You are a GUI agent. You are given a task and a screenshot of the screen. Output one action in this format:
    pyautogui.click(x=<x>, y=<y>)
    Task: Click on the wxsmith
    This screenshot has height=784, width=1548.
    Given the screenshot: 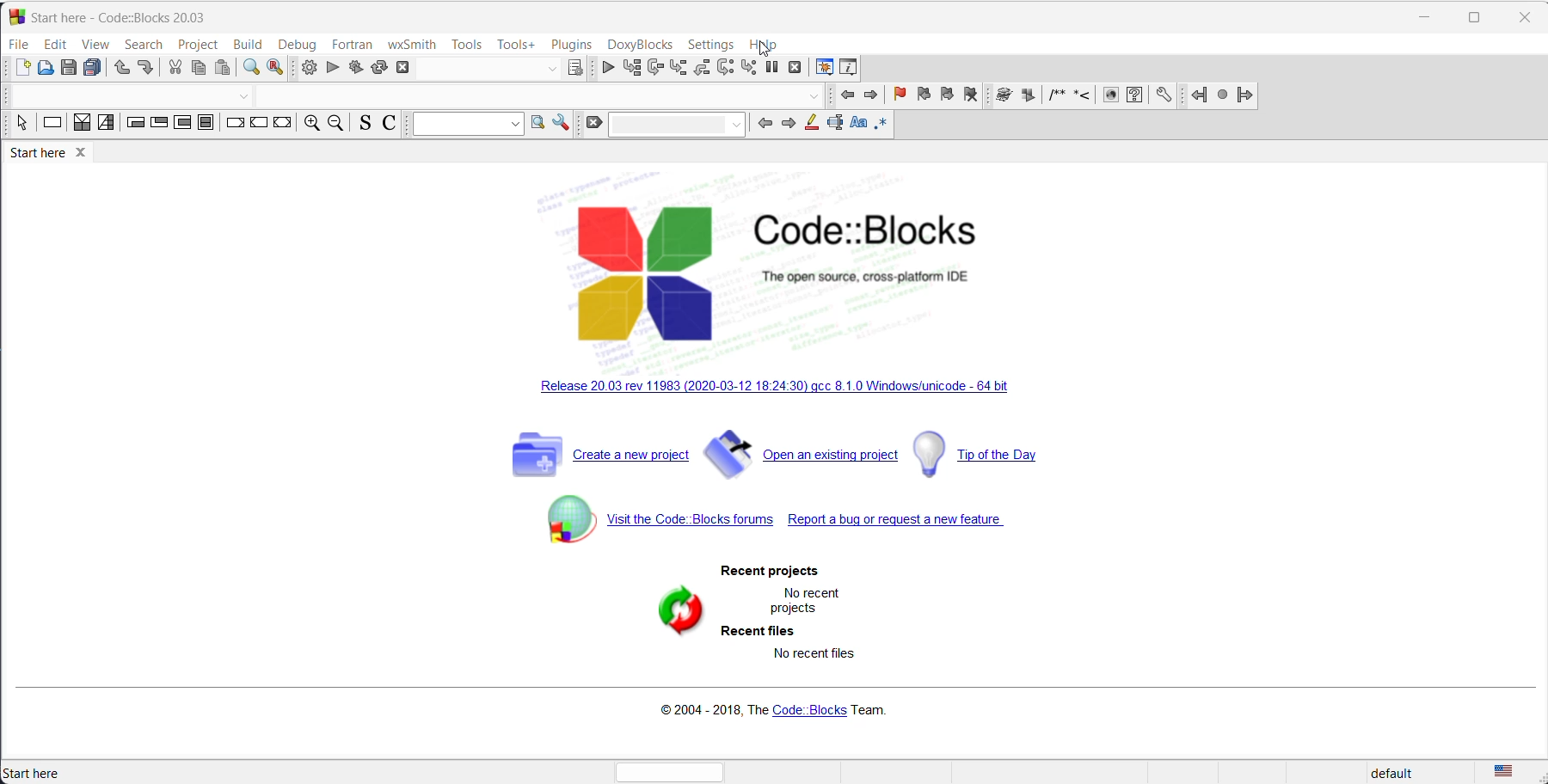 What is the action you would take?
    pyautogui.click(x=409, y=44)
    